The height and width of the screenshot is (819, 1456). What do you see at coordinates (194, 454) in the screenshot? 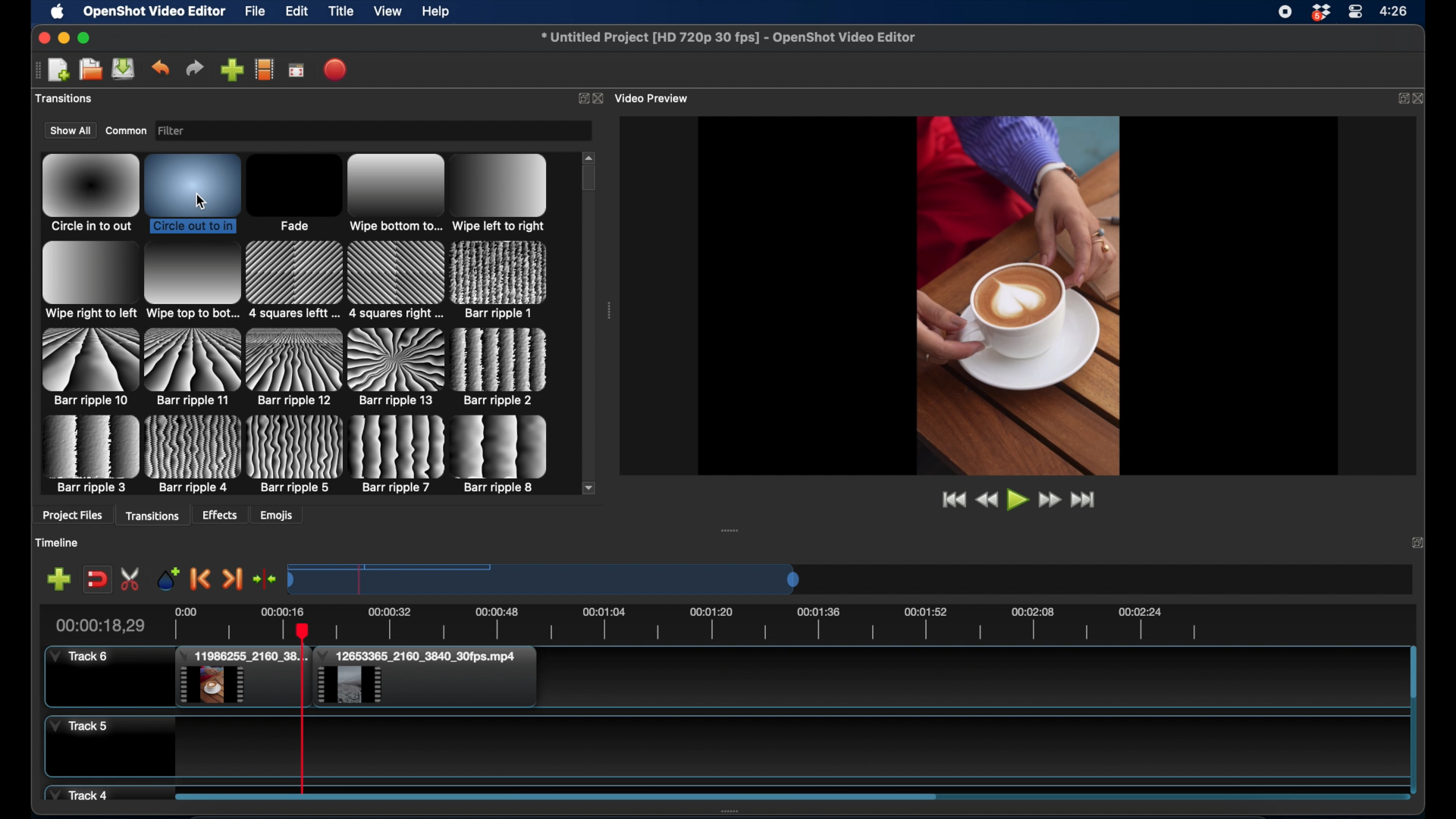
I see `transition` at bounding box center [194, 454].